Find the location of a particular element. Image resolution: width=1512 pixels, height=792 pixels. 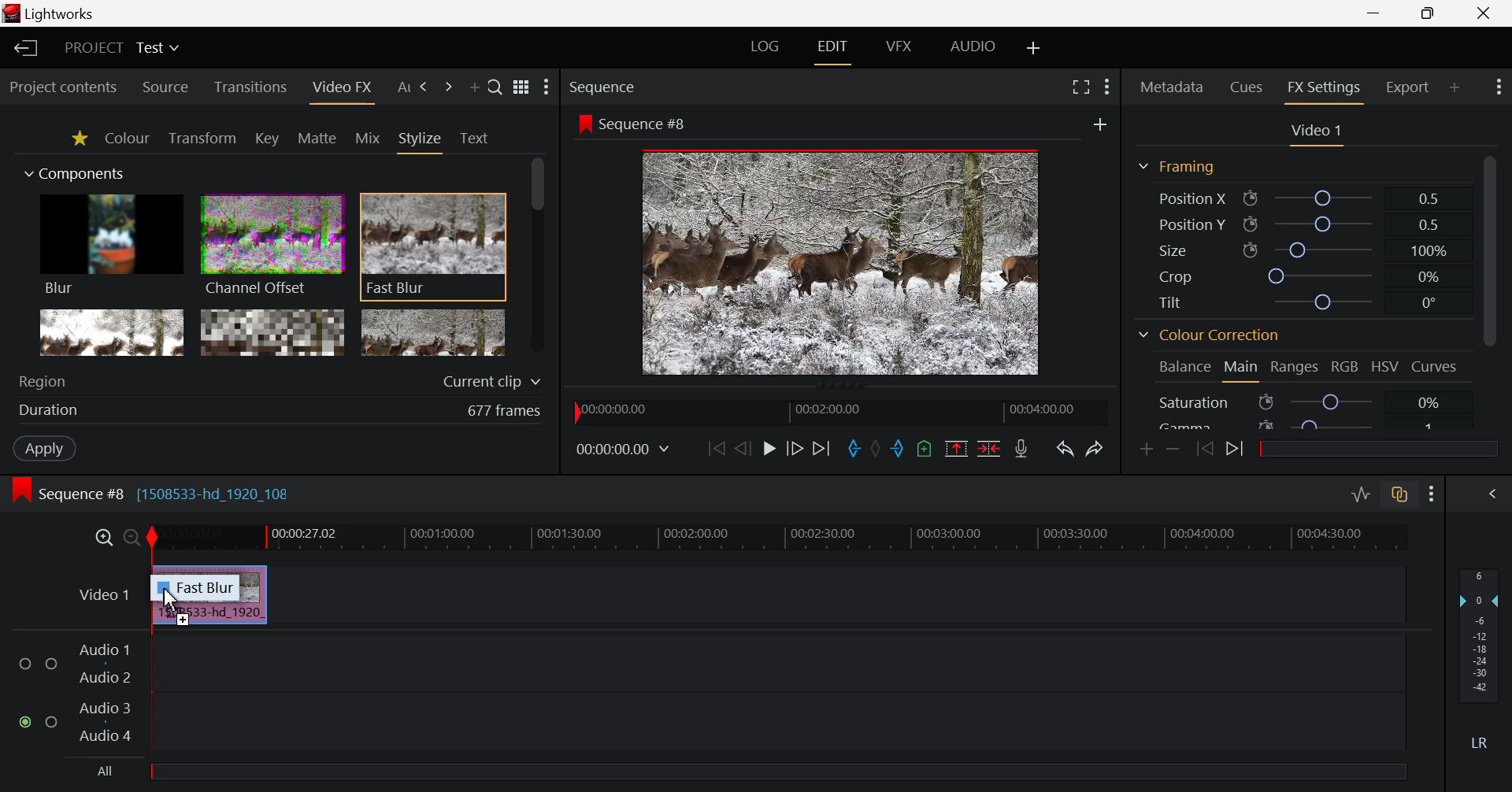

Project contents is located at coordinates (67, 89).